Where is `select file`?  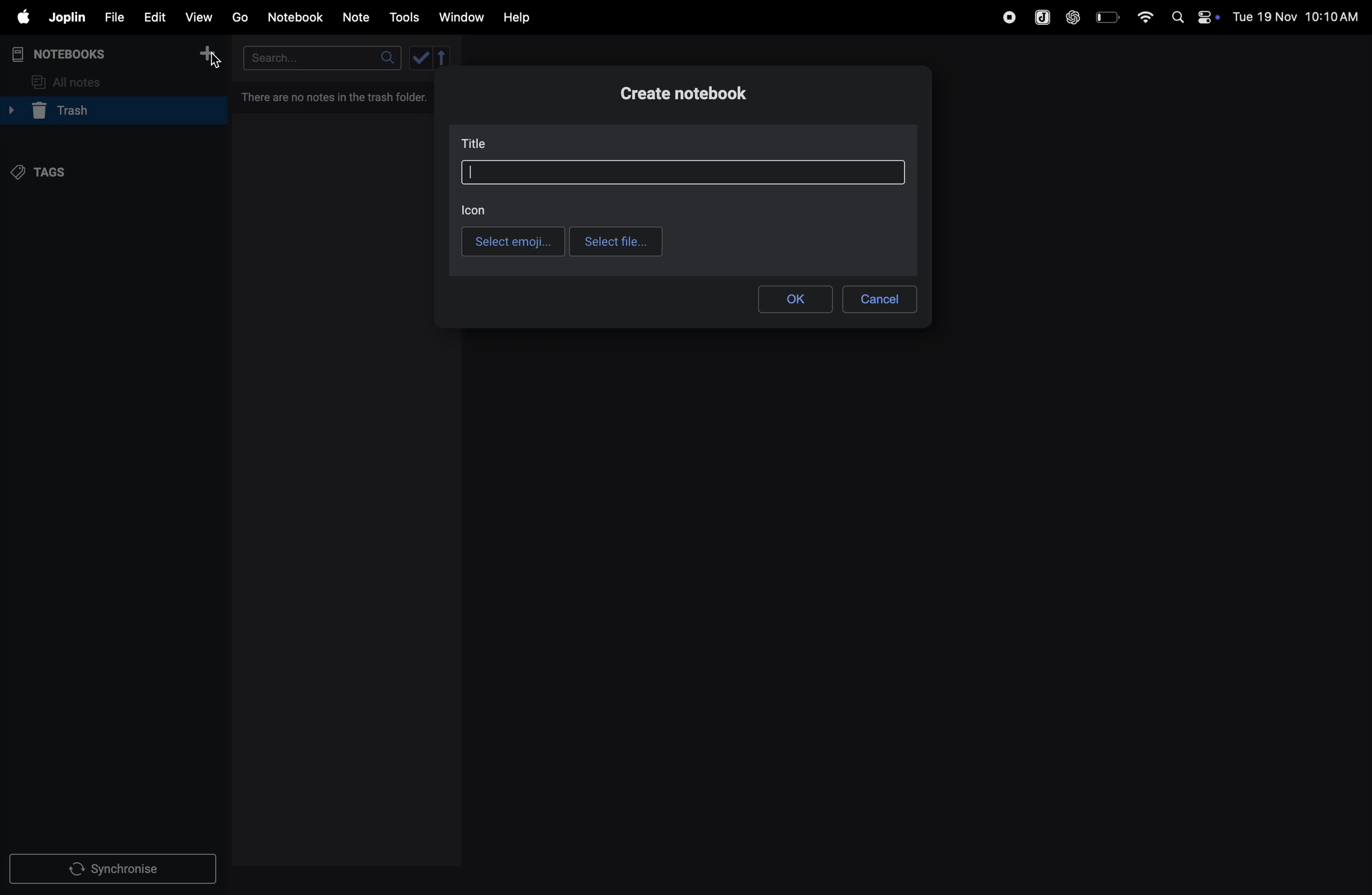
select file is located at coordinates (615, 241).